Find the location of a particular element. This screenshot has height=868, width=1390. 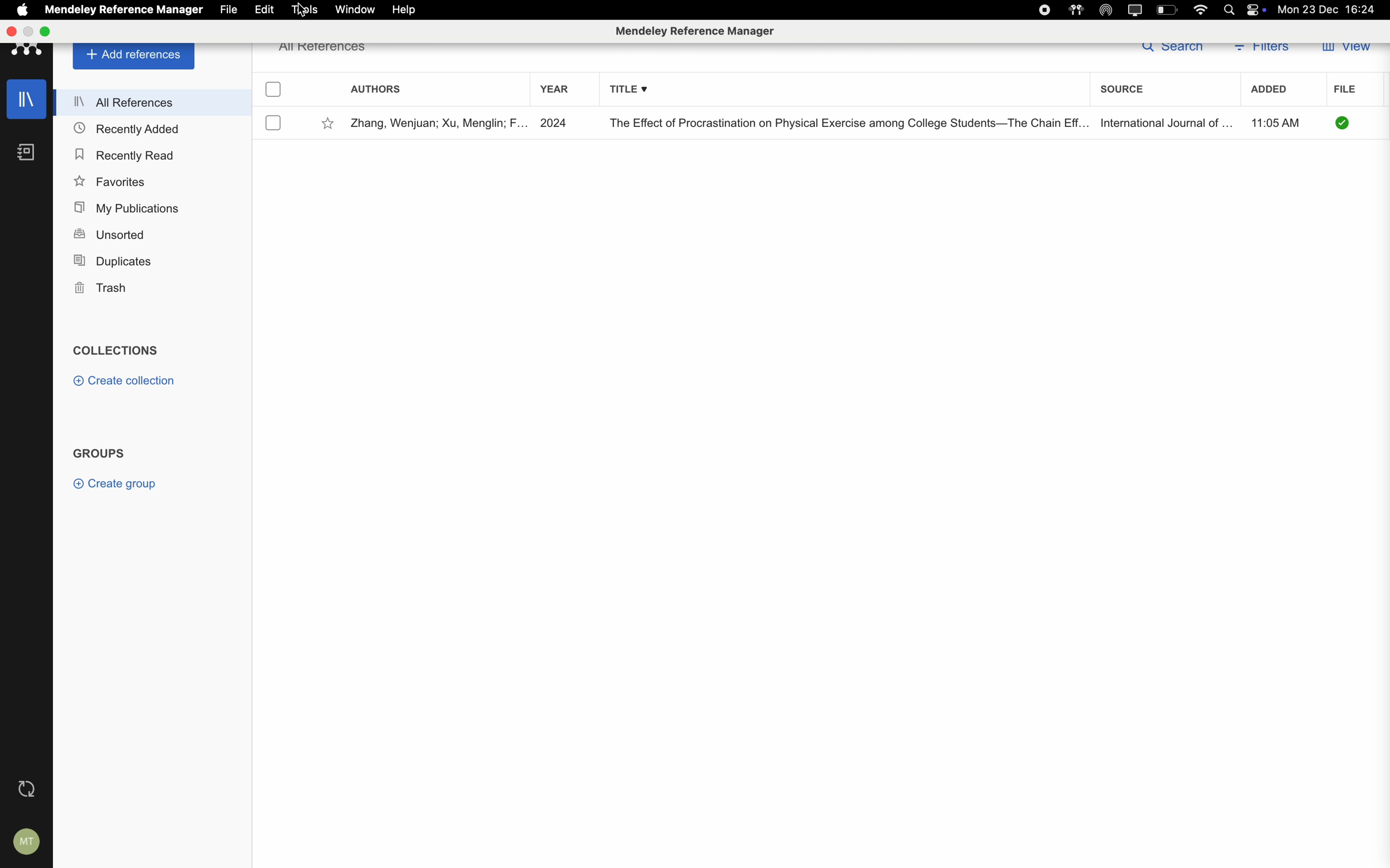

Apple icon is located at coordinates (23, 9).